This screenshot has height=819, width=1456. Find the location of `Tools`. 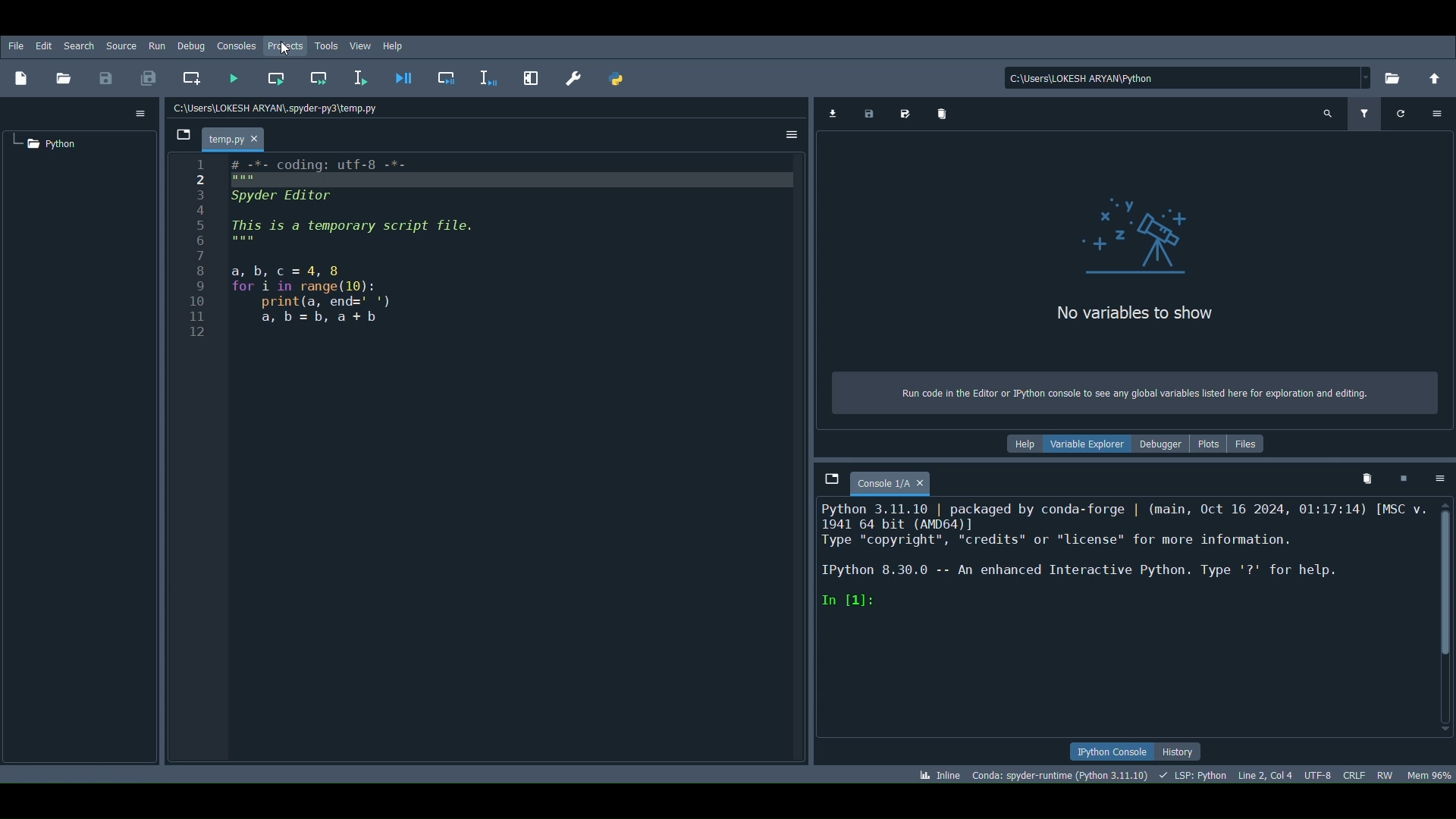

Tools is located at coordinates (328, 42).